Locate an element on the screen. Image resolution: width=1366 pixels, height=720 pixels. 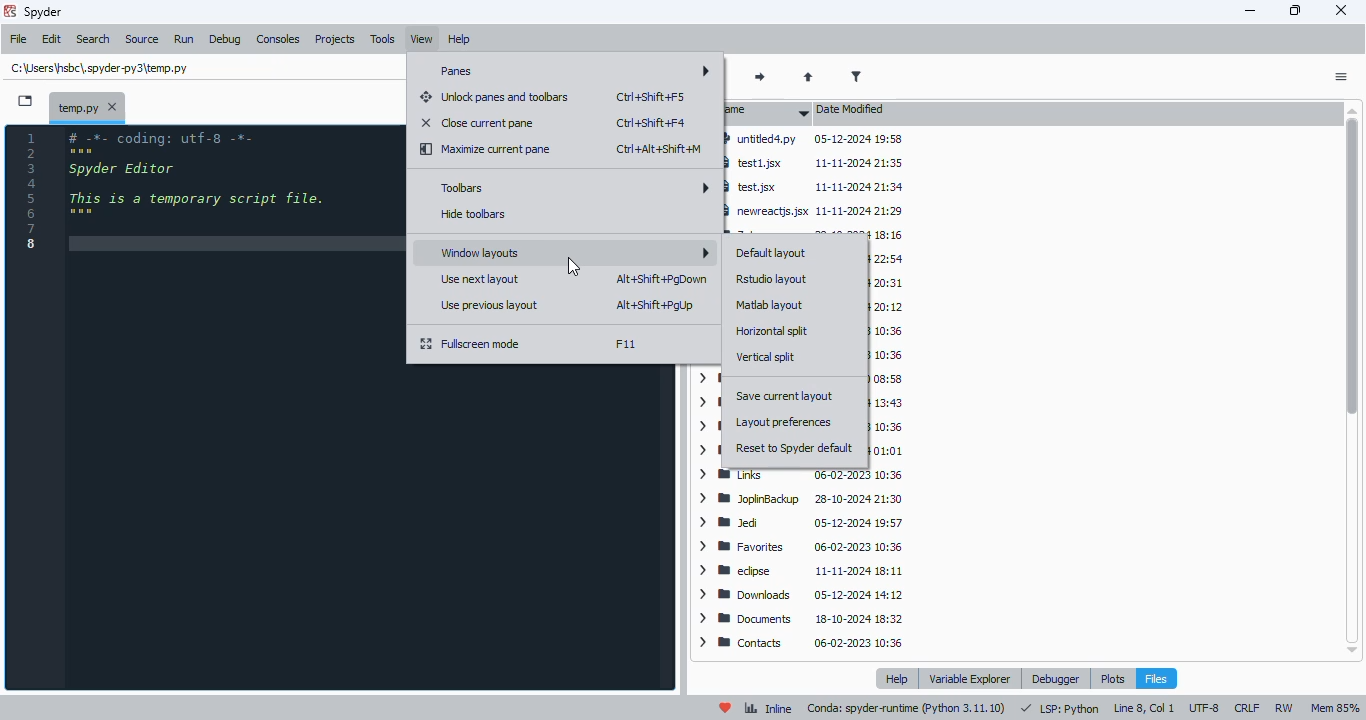
line numbers is located at coordinates (34, 192).